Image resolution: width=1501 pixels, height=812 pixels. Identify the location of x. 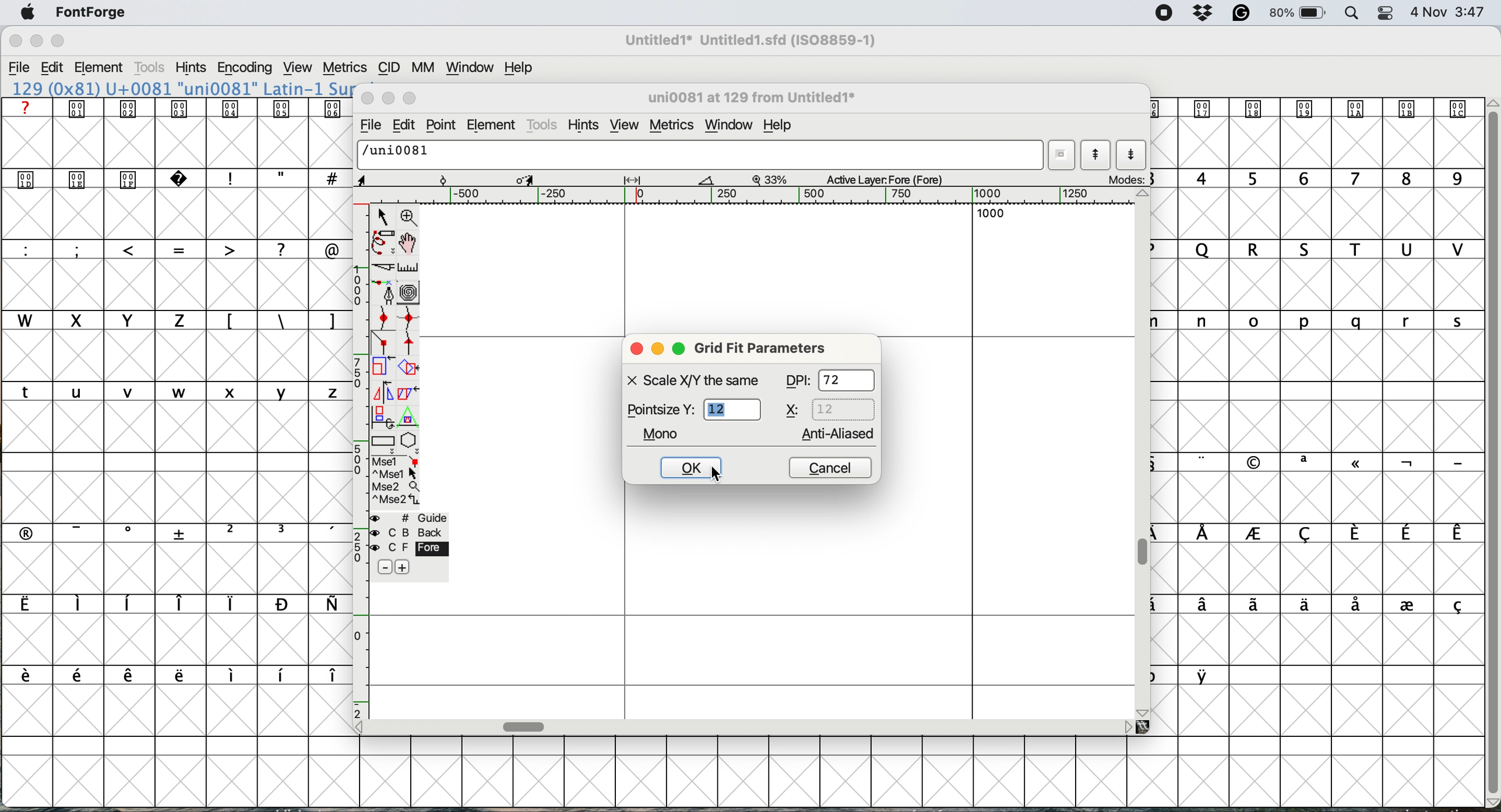
(829, 409).